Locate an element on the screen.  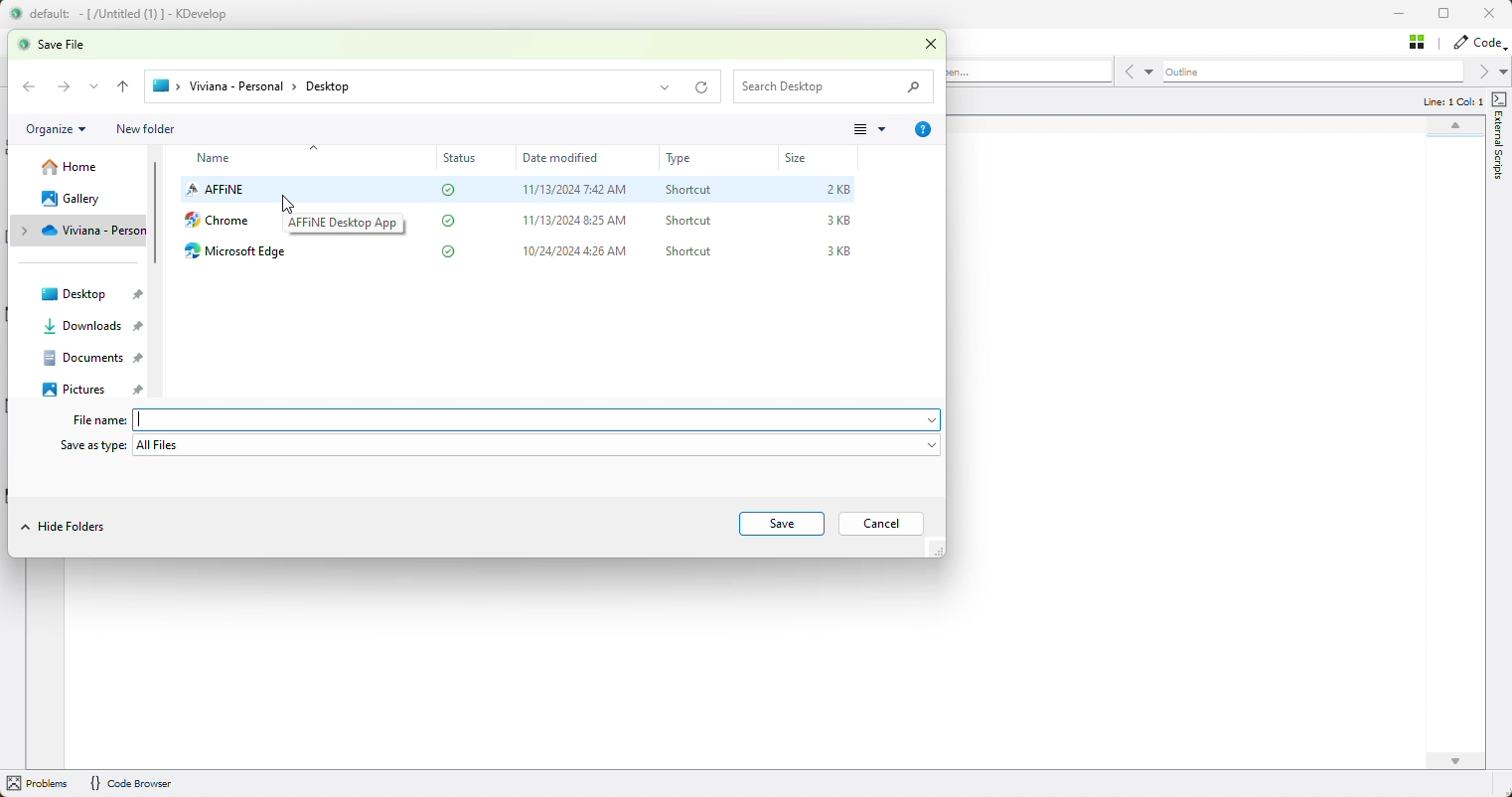
save is located at coordinates (778, 524).